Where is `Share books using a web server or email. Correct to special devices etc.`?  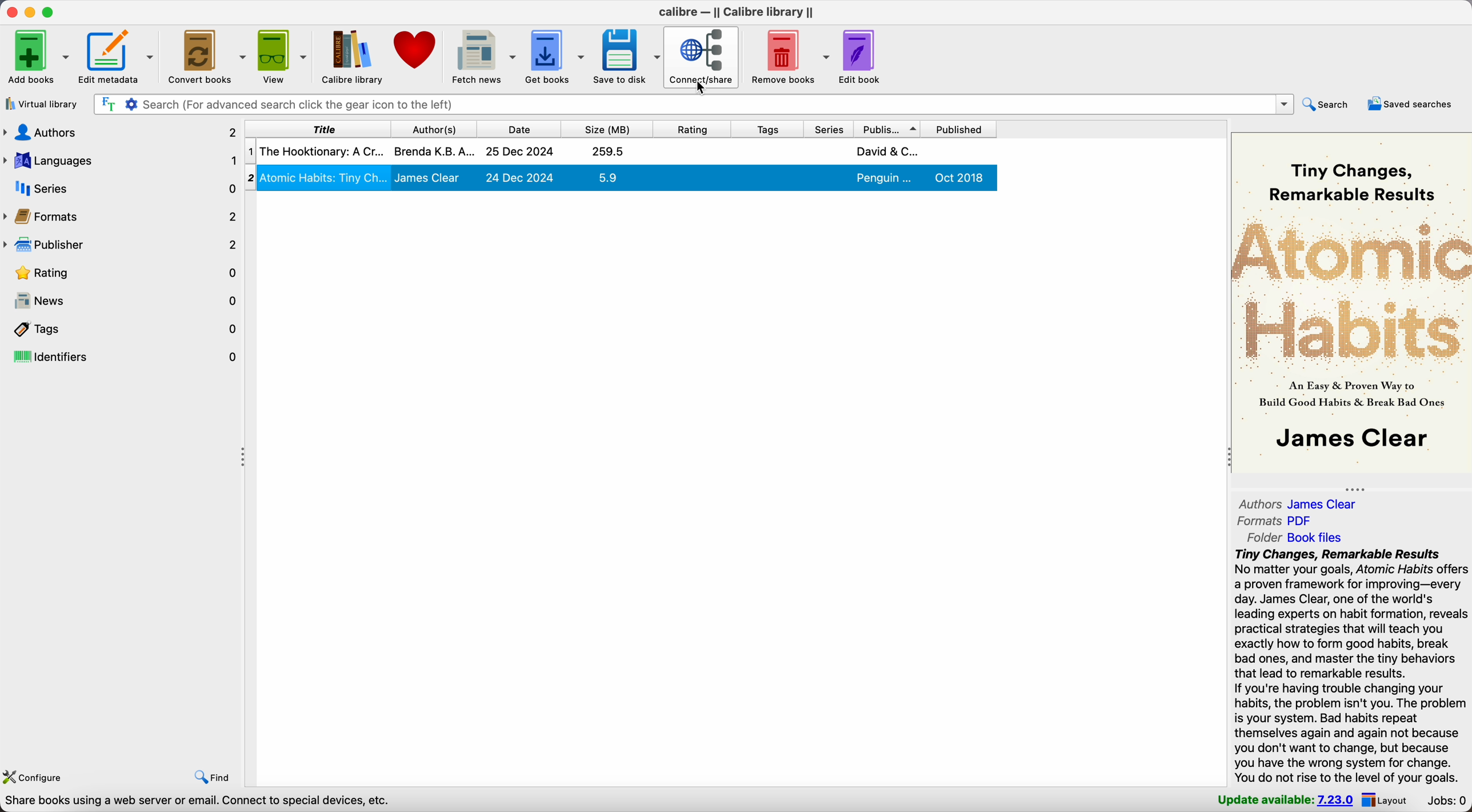
Share books using a web server or email. Correct to special devices etc. is located at coordinates (198, 802).